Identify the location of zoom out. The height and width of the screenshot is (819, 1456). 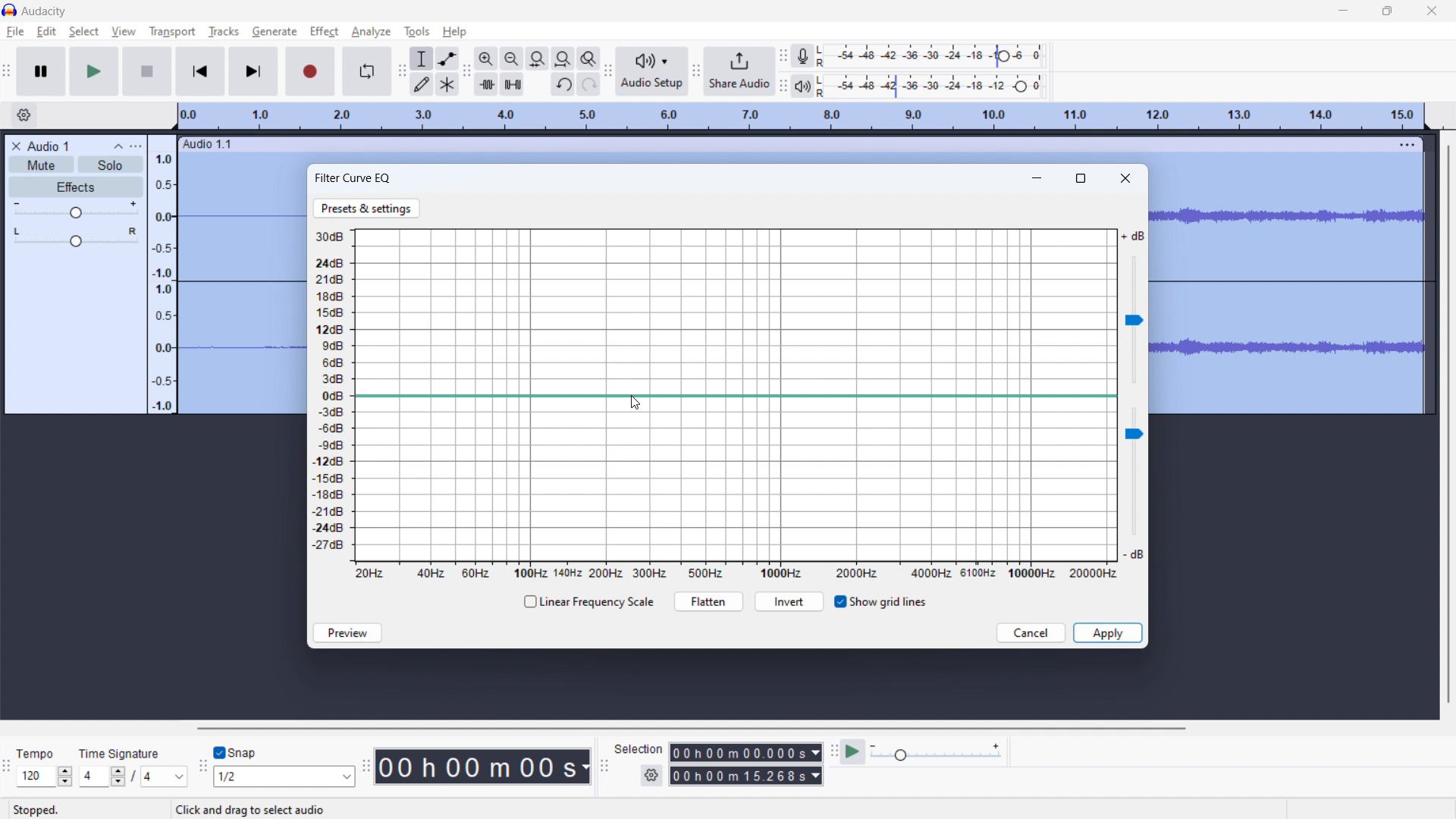
(511, 58).